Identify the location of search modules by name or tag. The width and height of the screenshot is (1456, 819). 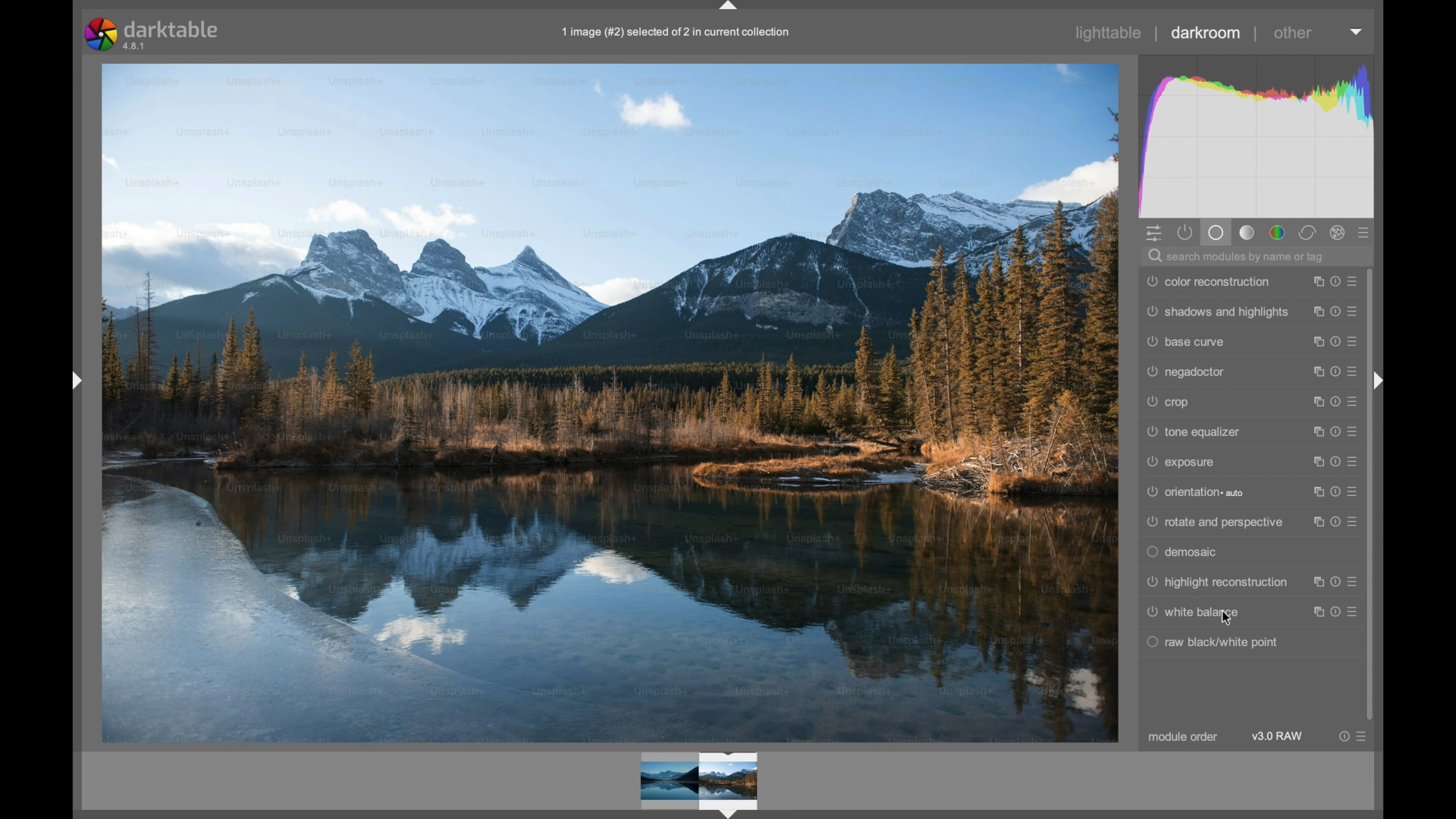
(1236, 257).